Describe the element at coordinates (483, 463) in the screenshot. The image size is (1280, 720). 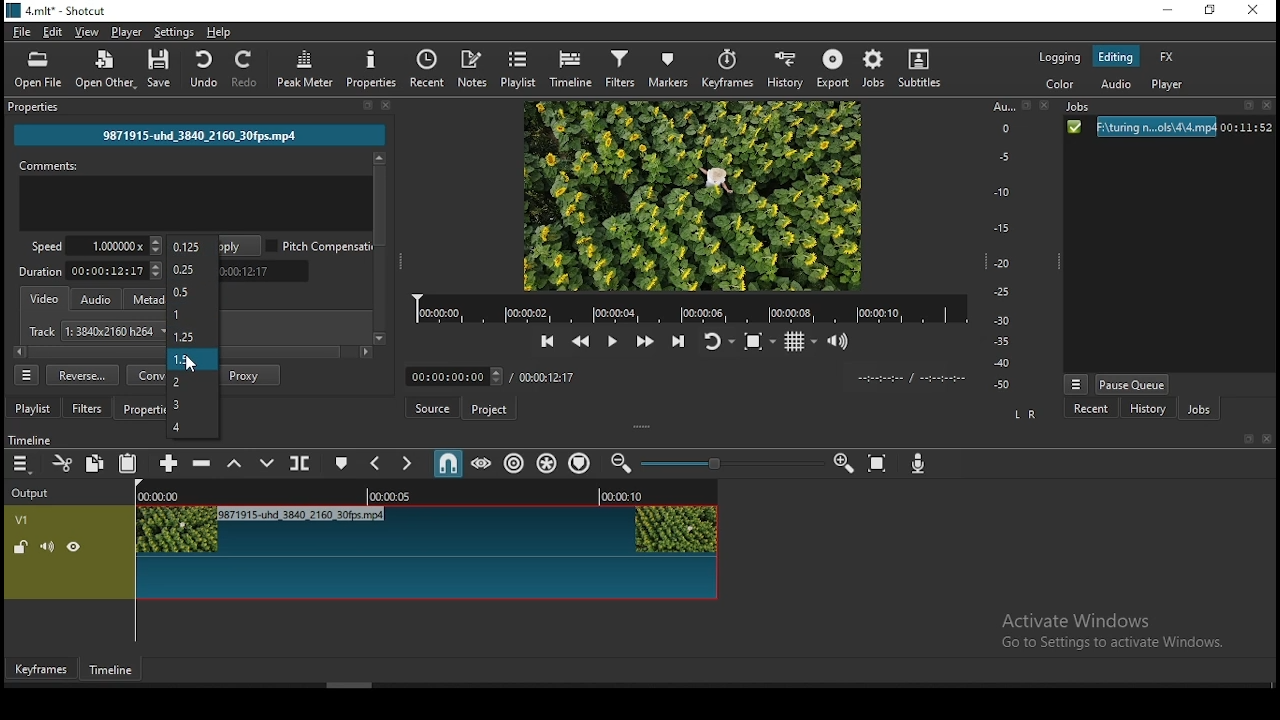
I see `scrub while dragging` at that location.